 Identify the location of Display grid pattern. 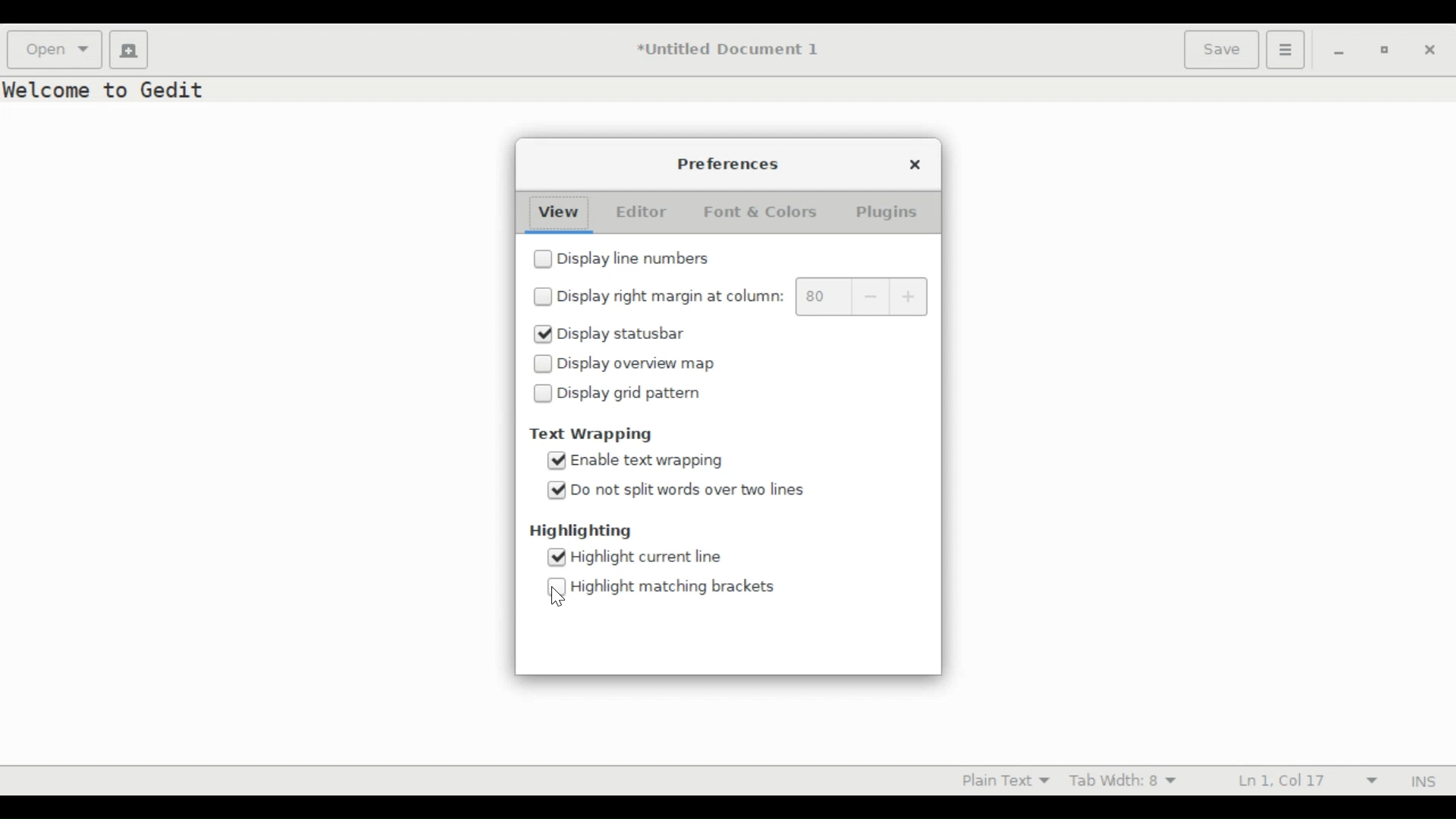
(645, 396).